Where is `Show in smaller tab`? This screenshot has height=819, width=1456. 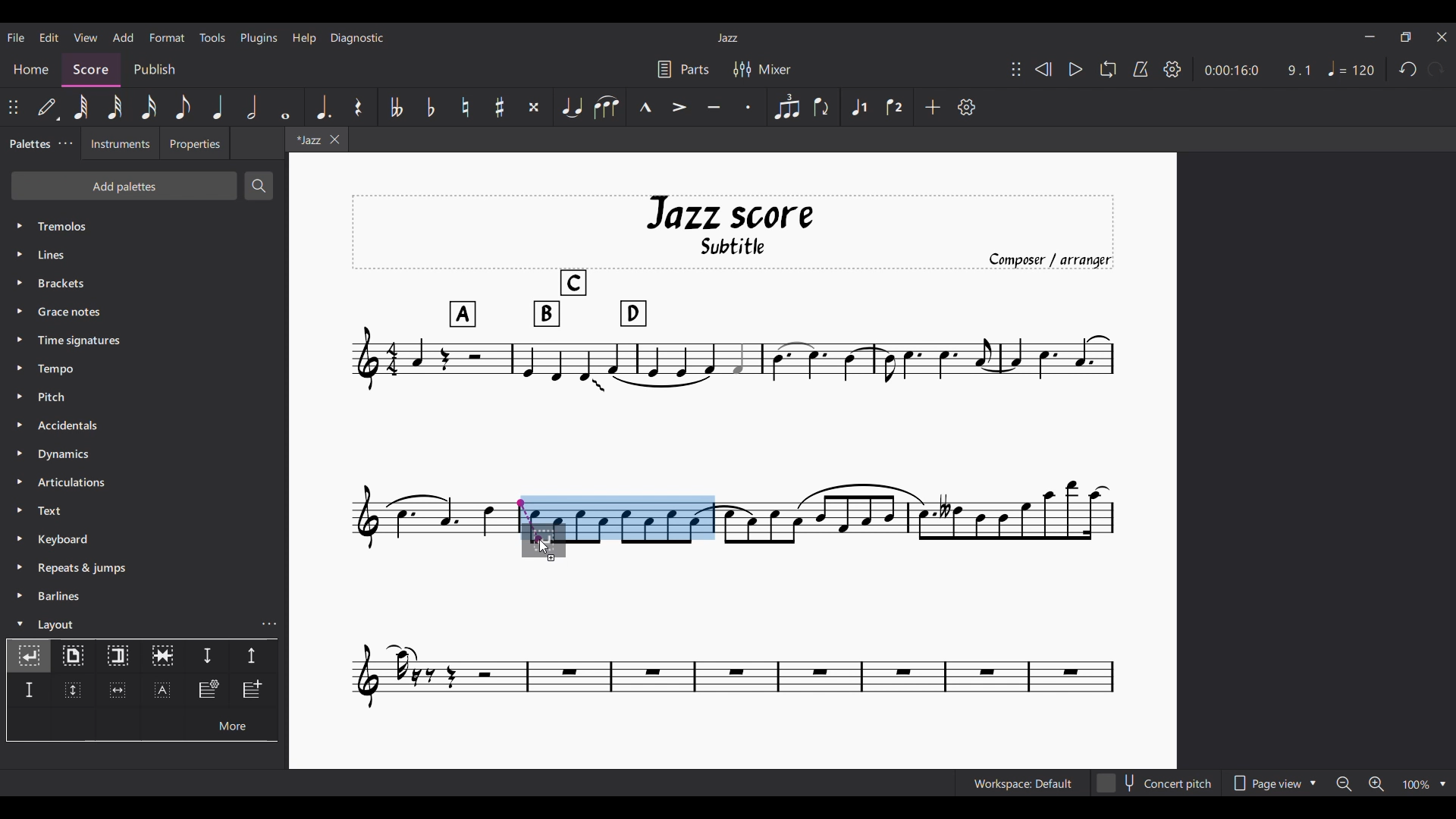 Show in smaller tab is located at coordinates (1406, 37).